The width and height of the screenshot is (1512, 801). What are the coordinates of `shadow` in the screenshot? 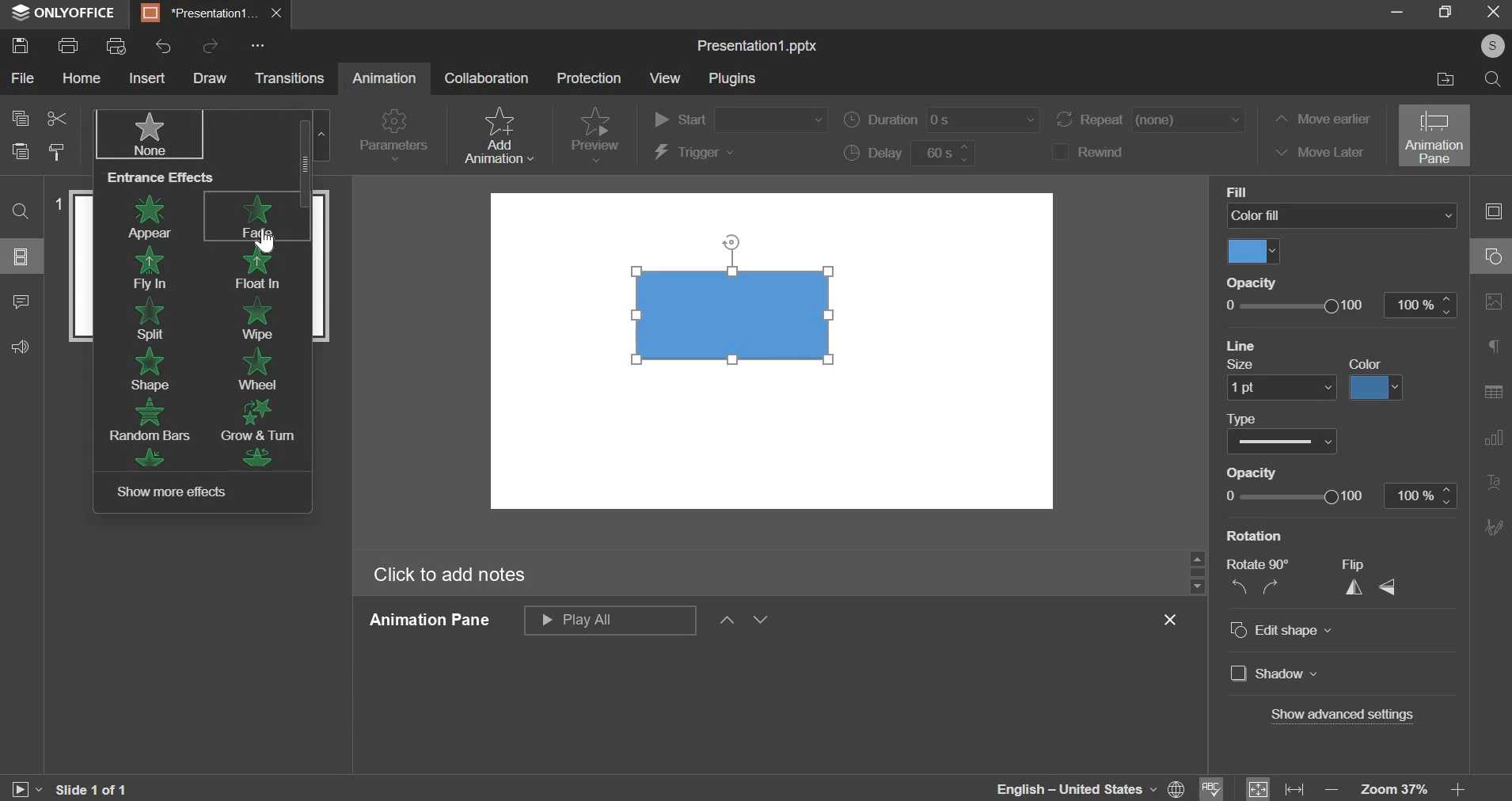 It's located at (1273, 674).